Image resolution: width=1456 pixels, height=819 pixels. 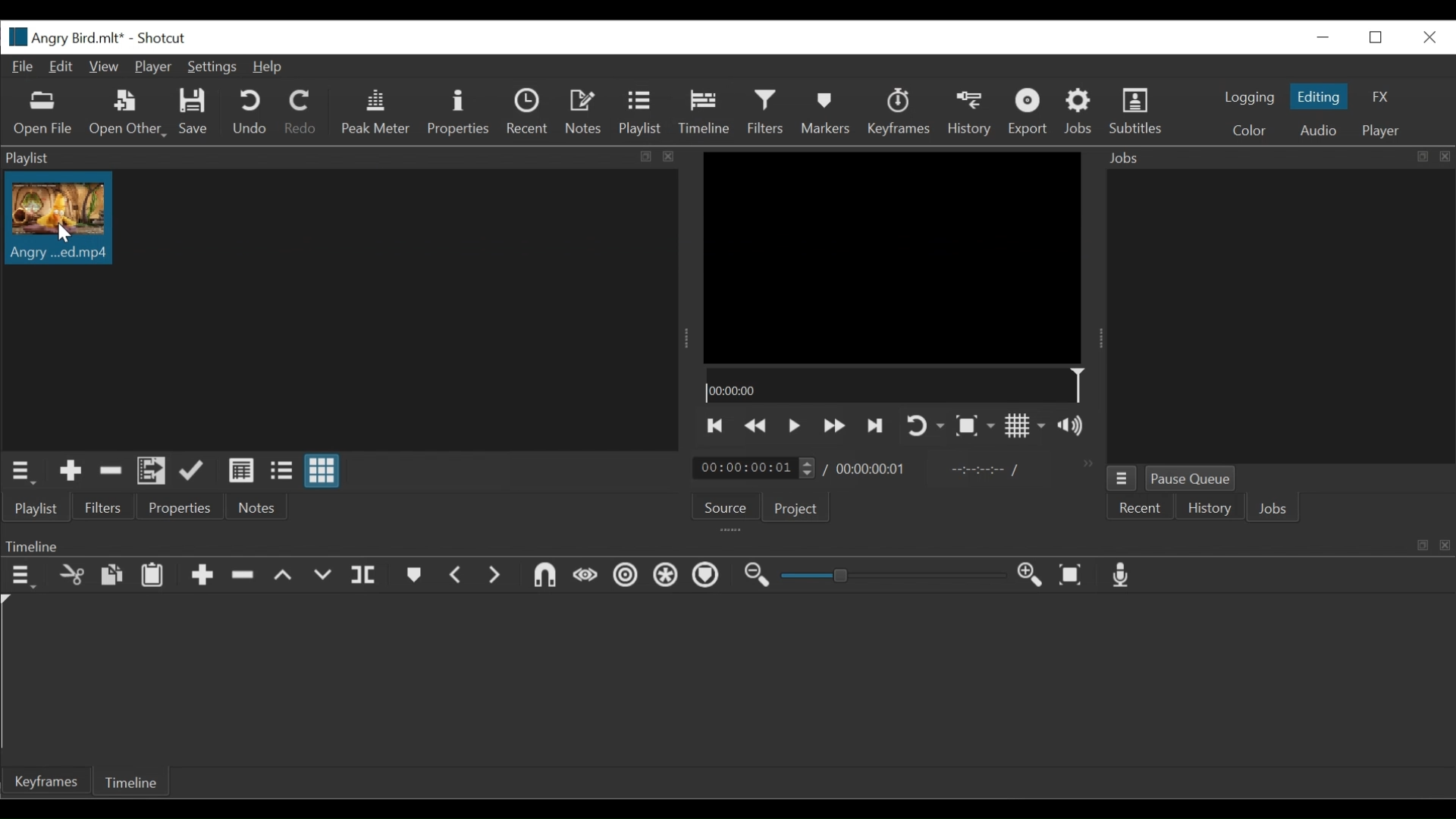 What do you see at coordinates (1279, 316) in the screenshot?
I see `Jobs Panel` at bounding box center [1279, 316].